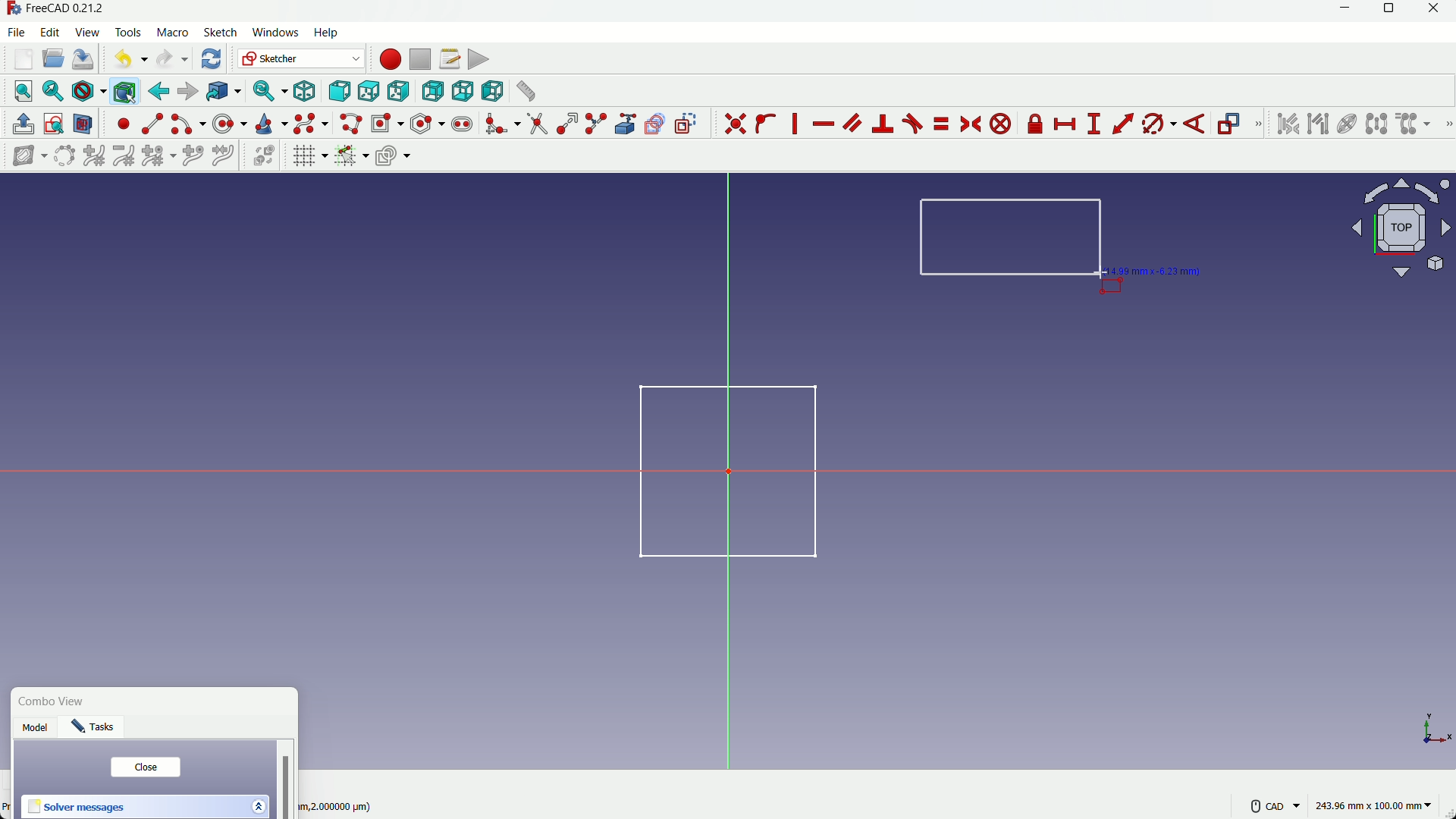  Describe the element at coordinates (627, 124) in the screenshot. I see `create external geometry` at that location.